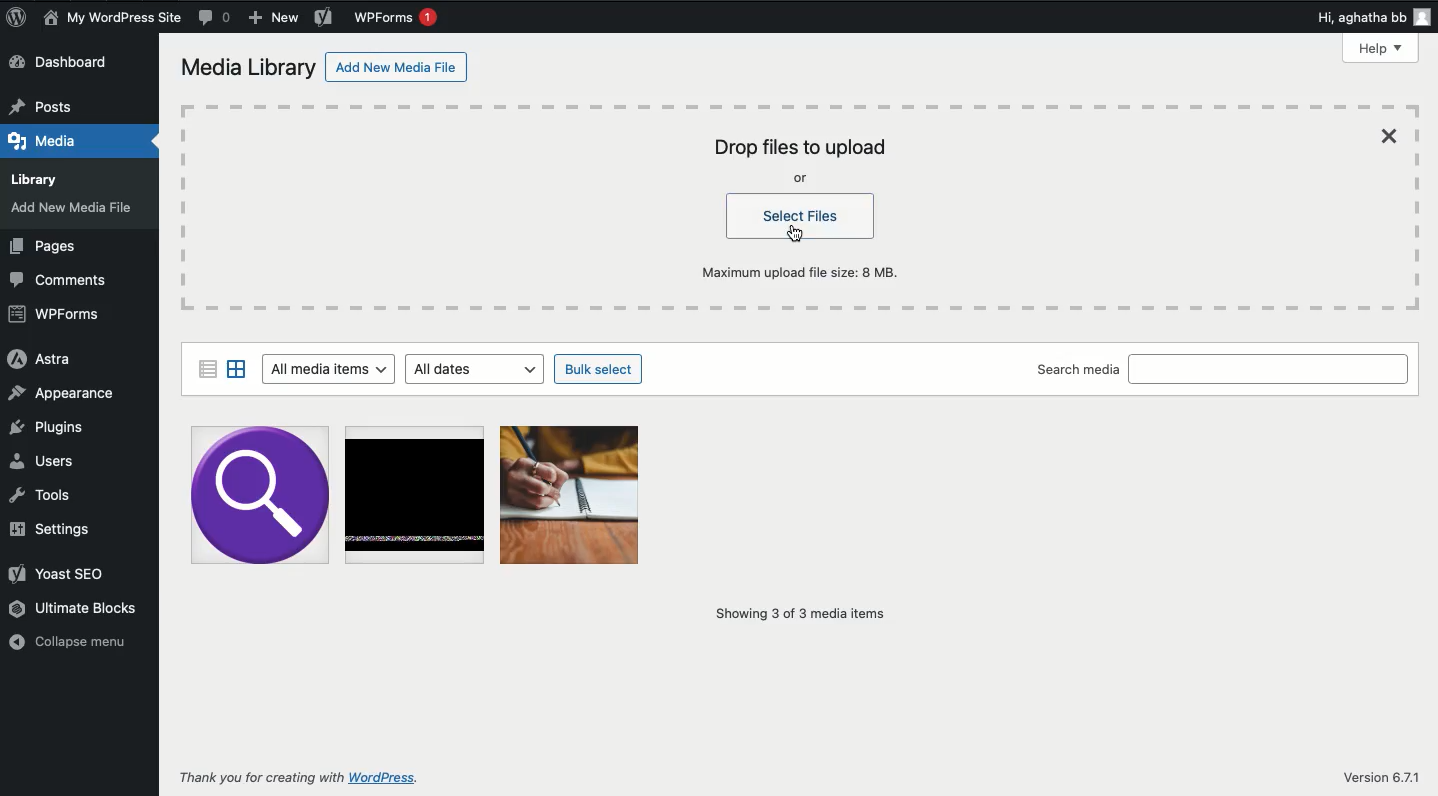  What do you see at coordinates (1393, 136) in the screenshot?
I see `Close` at bounding box center [1393, 136].